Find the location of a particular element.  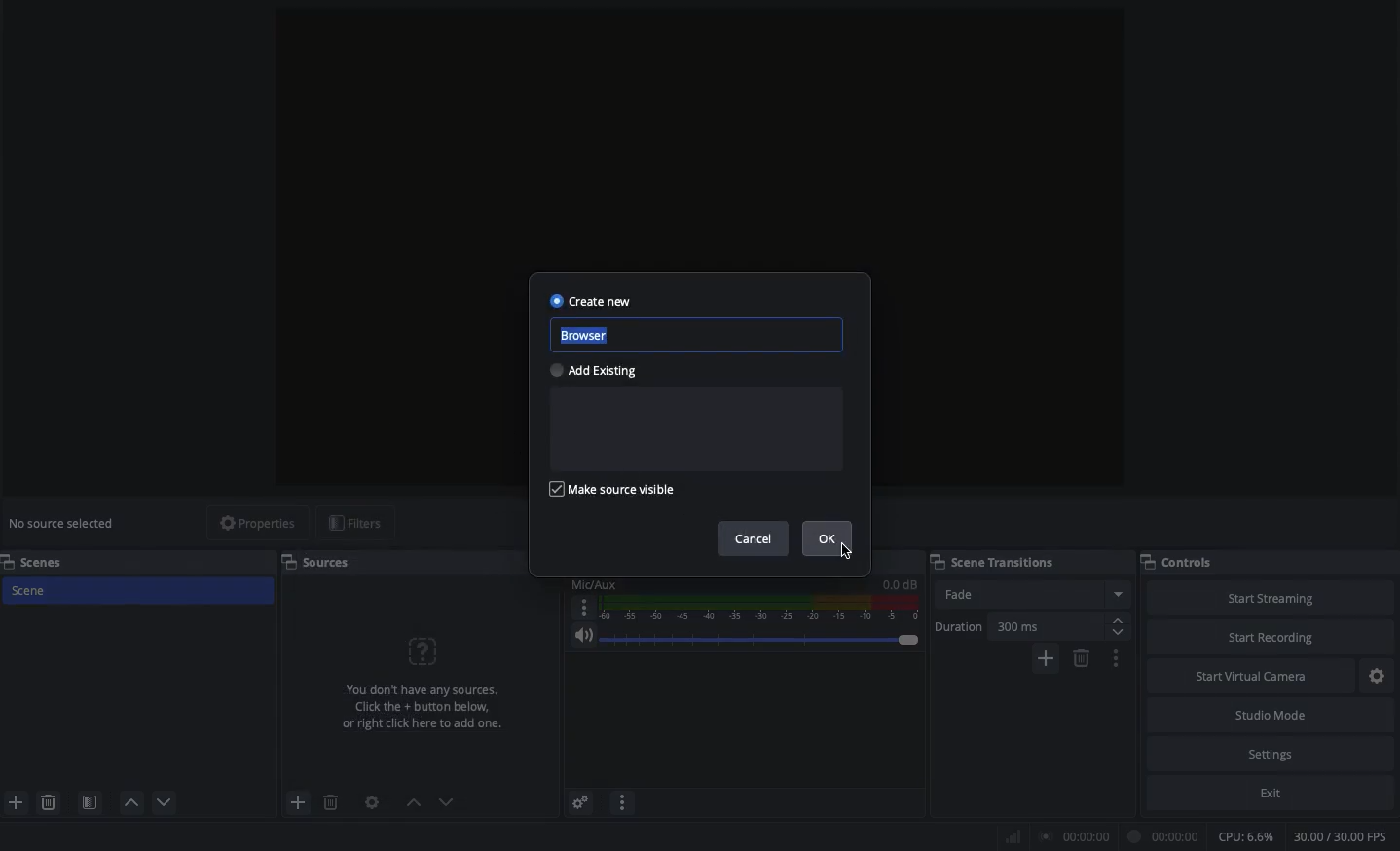

Move down is located at coordinates (447, 802).